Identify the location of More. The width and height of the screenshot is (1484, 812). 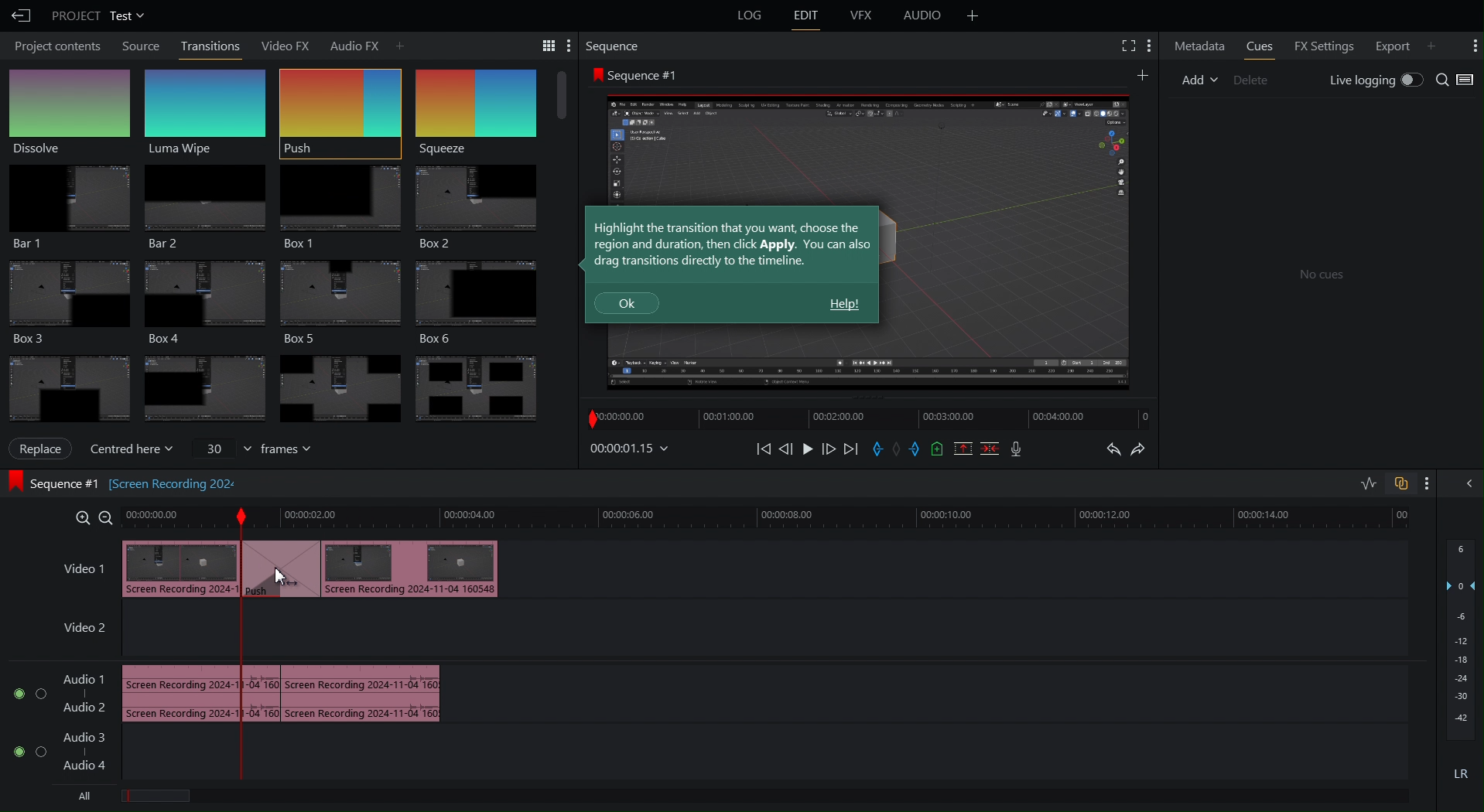
(1473, 44).